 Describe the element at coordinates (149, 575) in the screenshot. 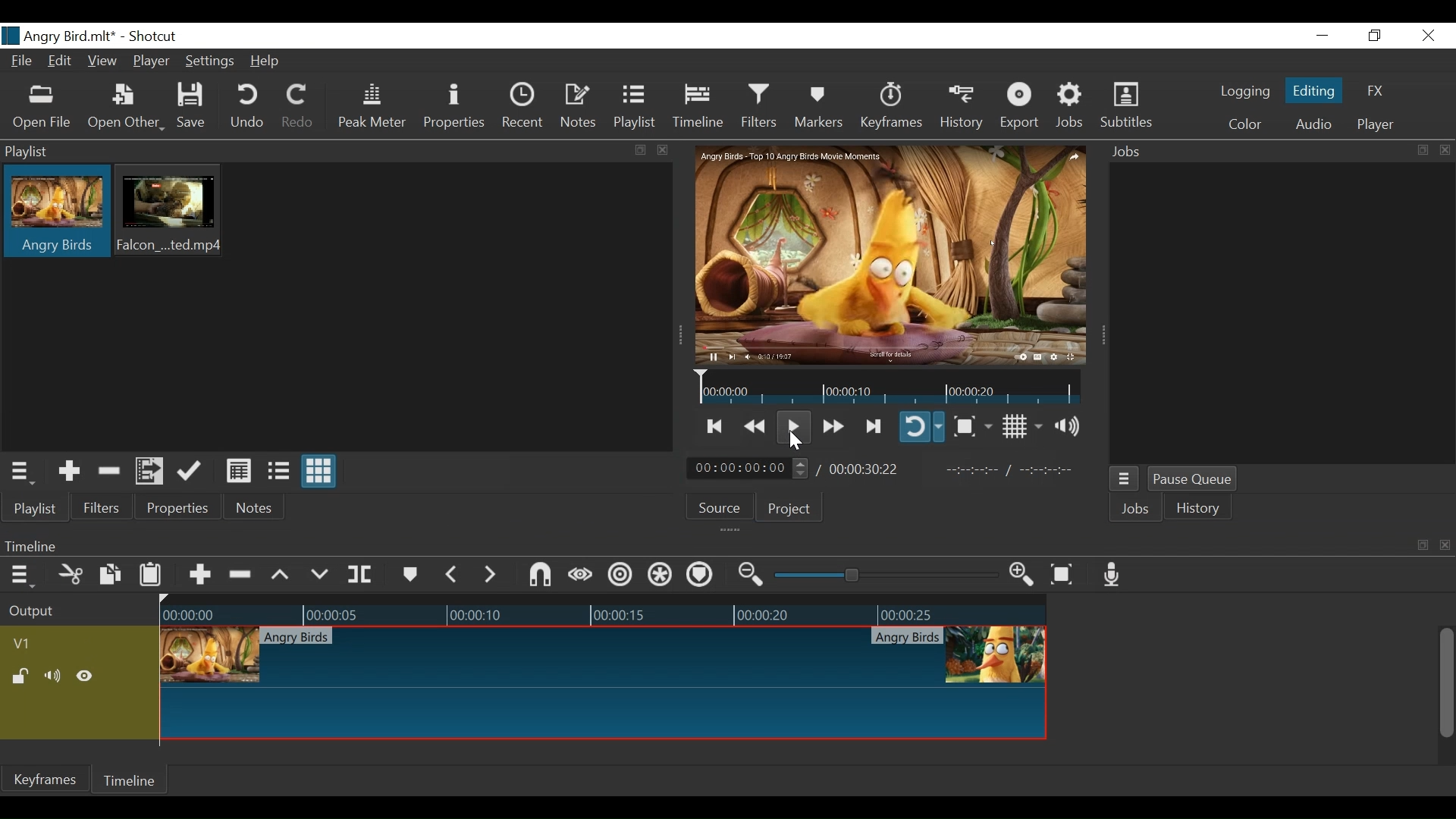

I see `Paste` at that location.